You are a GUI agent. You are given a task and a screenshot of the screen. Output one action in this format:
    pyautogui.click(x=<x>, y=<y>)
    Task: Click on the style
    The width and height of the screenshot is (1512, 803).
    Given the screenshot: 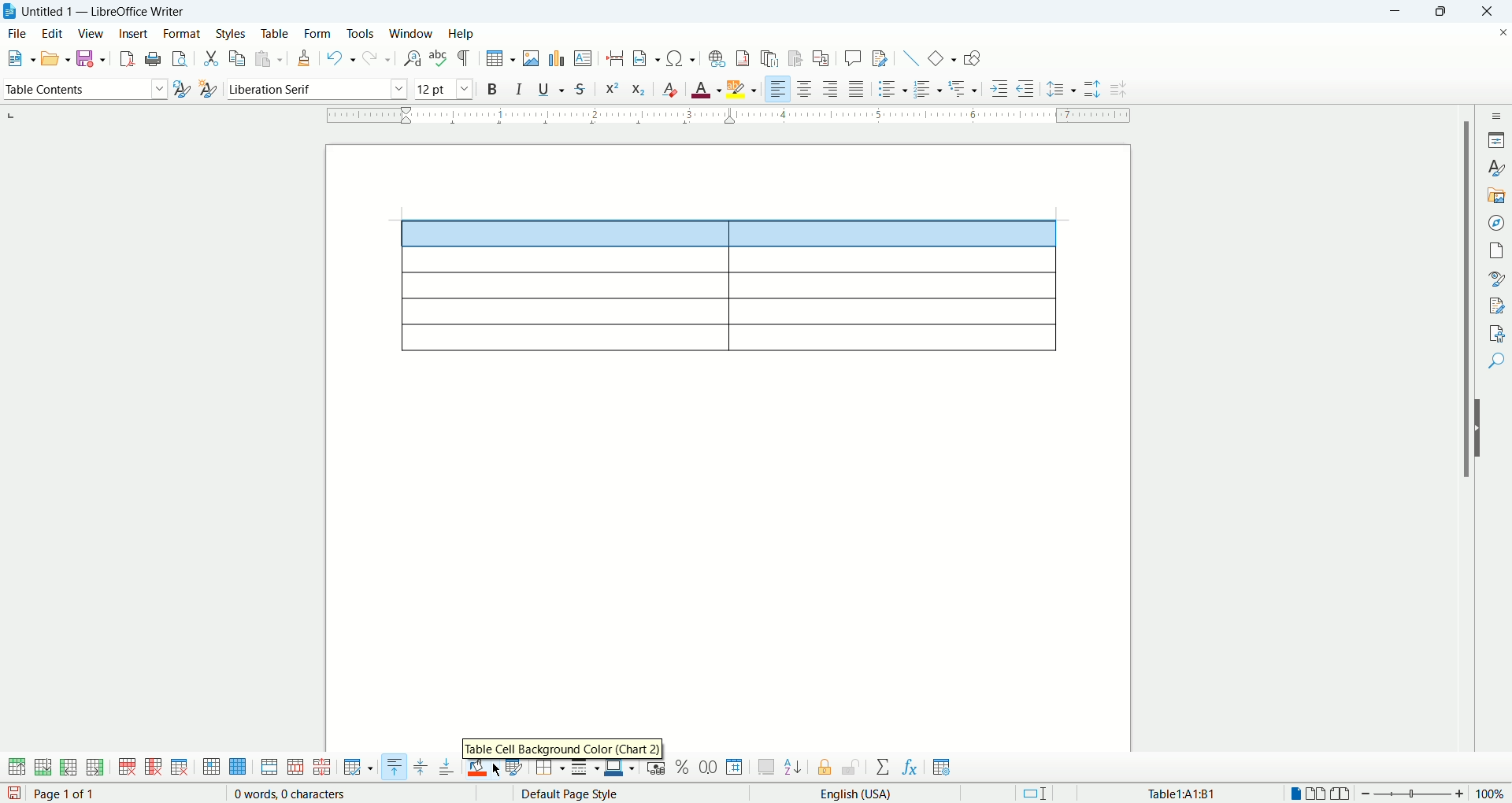 What is the action you would take?
    pyautogui.click(x=1495, y=168)
    